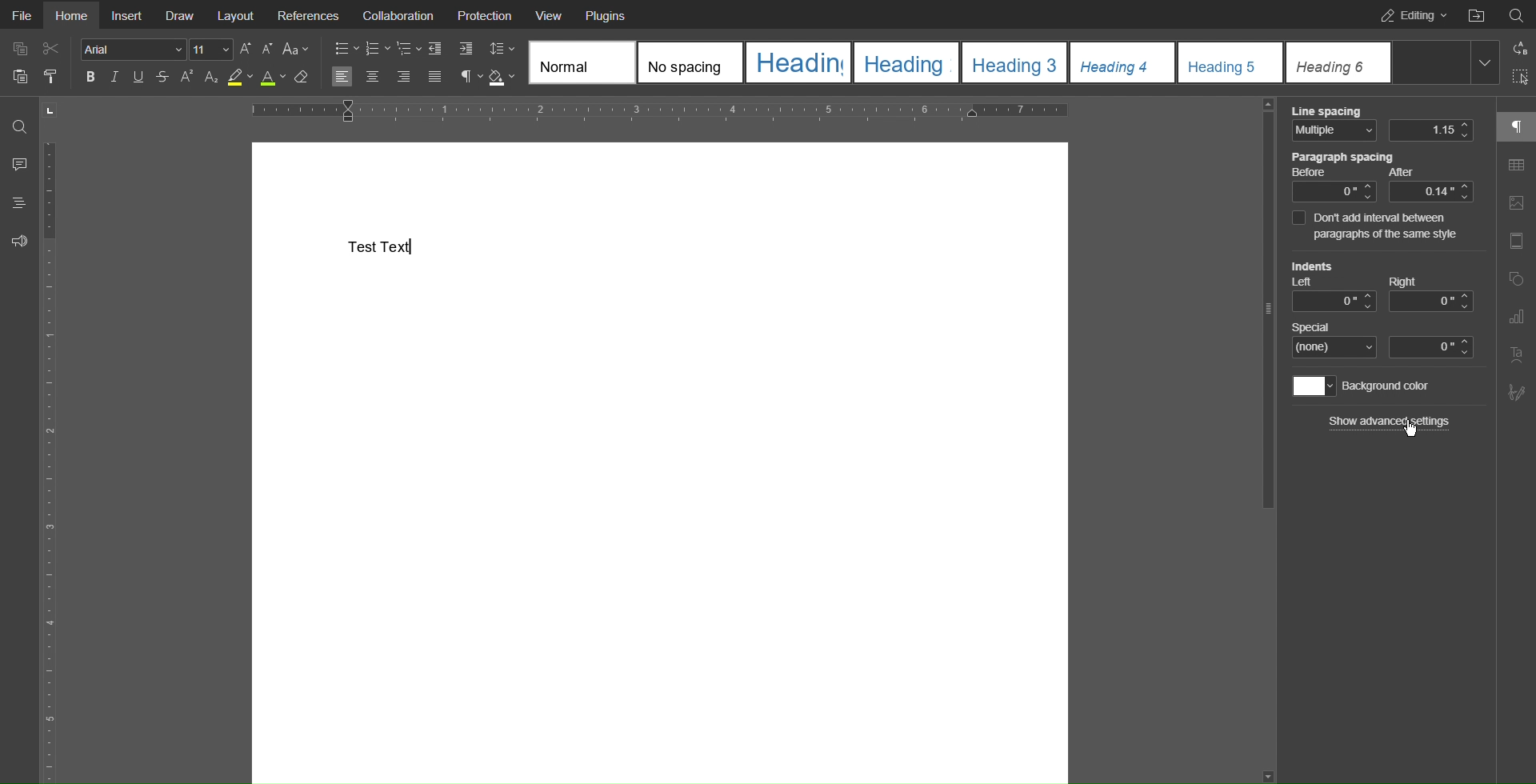  What do you see at coordinates (247, 49) in the screenshot?
I see `Increase Size` at bounding box center [247, 49].